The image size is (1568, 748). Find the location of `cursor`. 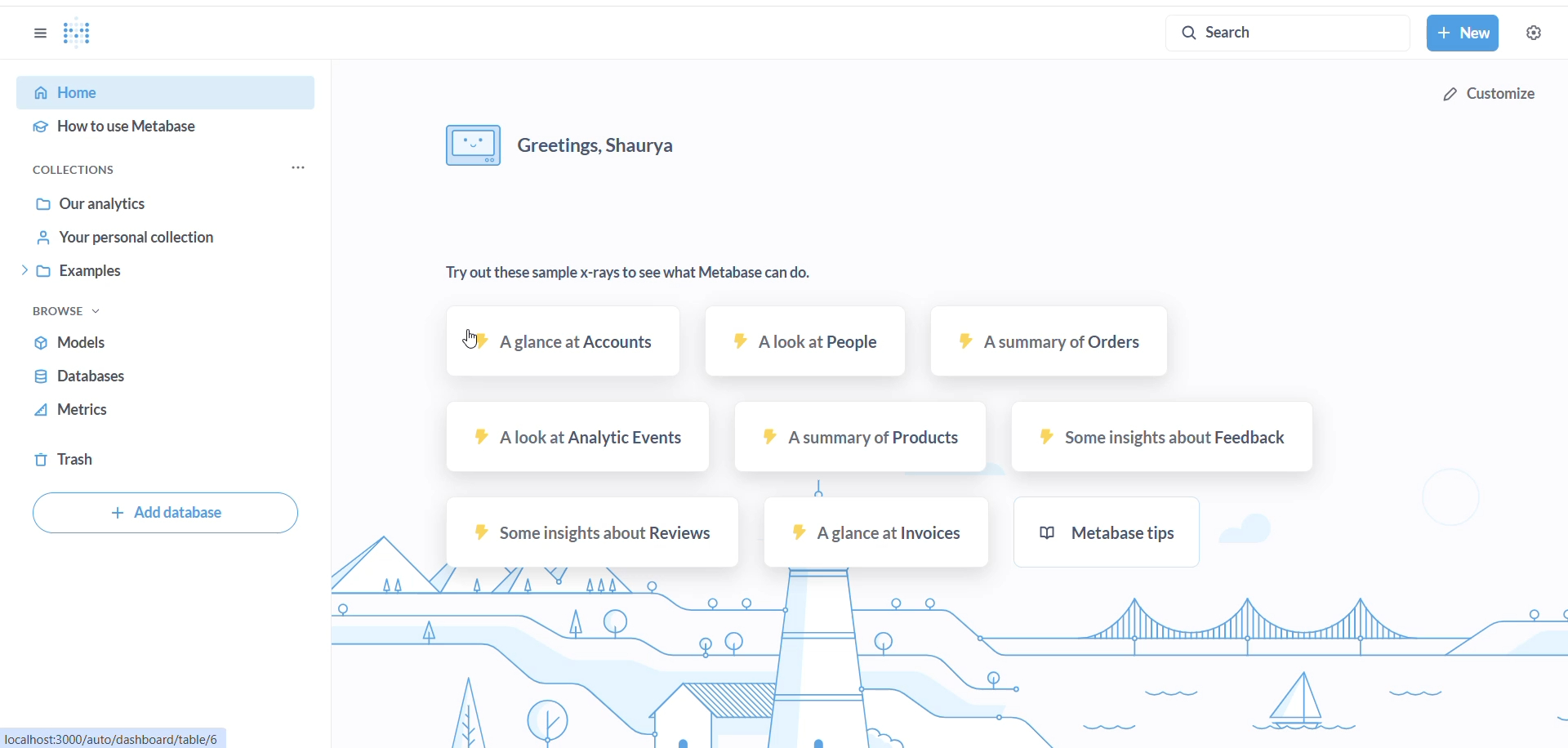

cursor is located at coordinates (472, 339).